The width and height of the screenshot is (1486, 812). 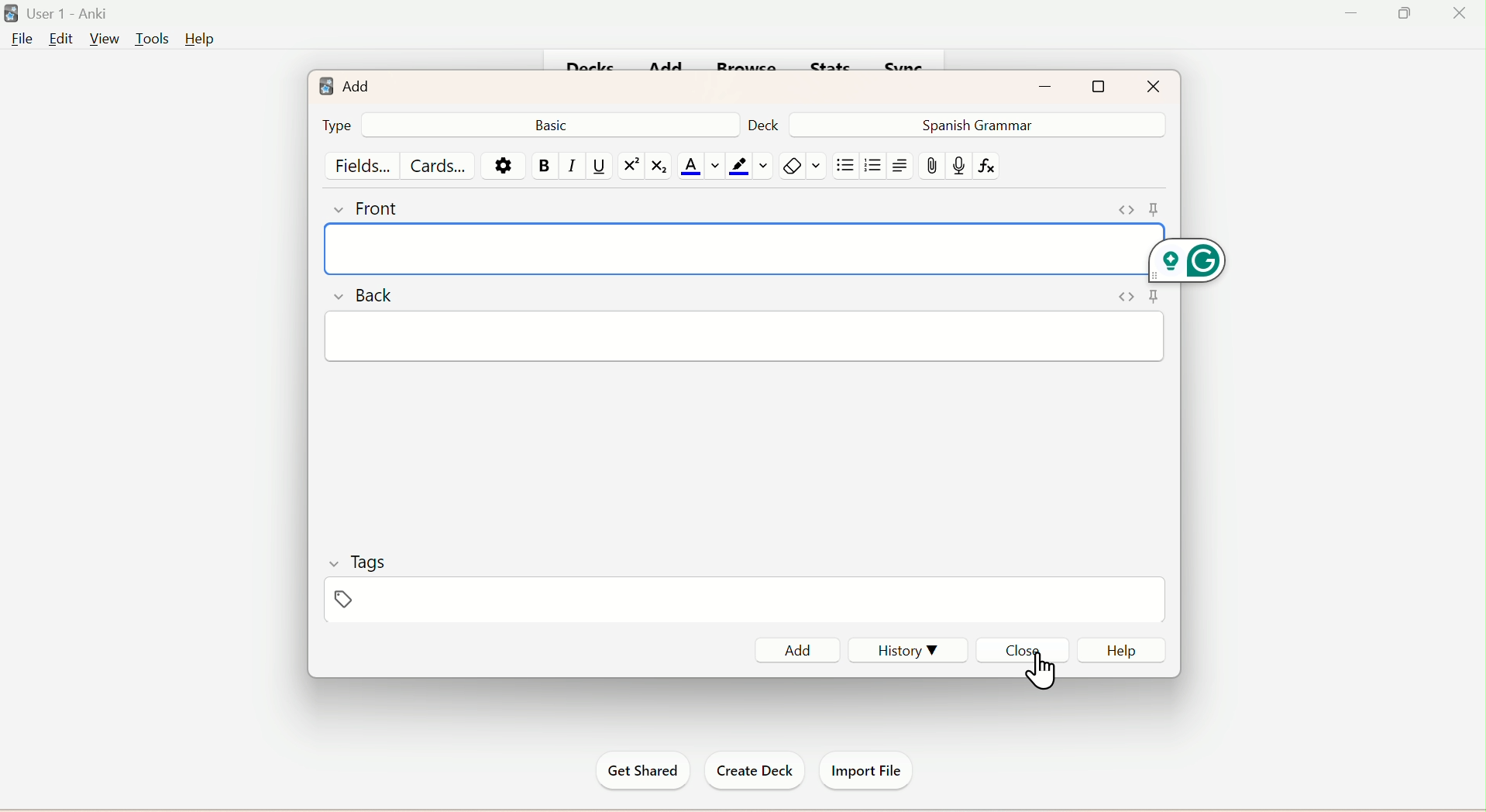 What do you see at coordinates (1152, 85) in the screenshot?
I see `Close` at bounding box center [1152, 85].